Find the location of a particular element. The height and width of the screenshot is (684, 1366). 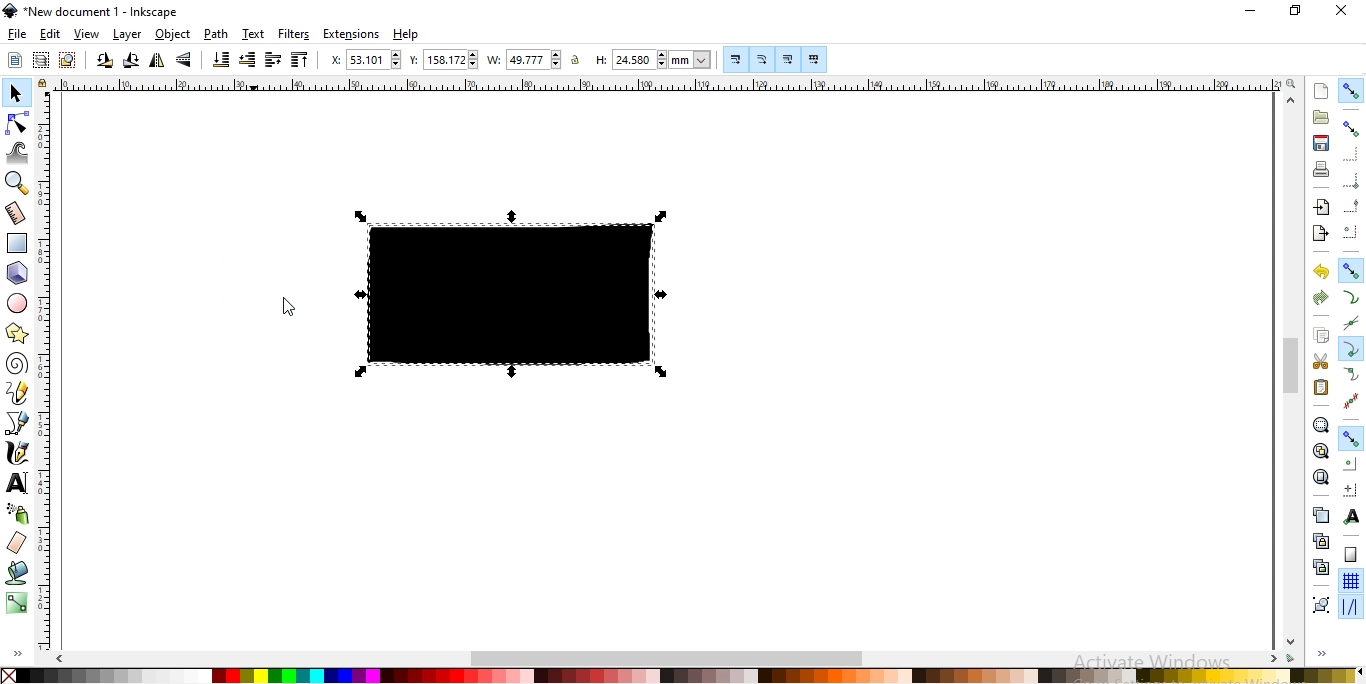

copy is located at coordinates (1322, 336).